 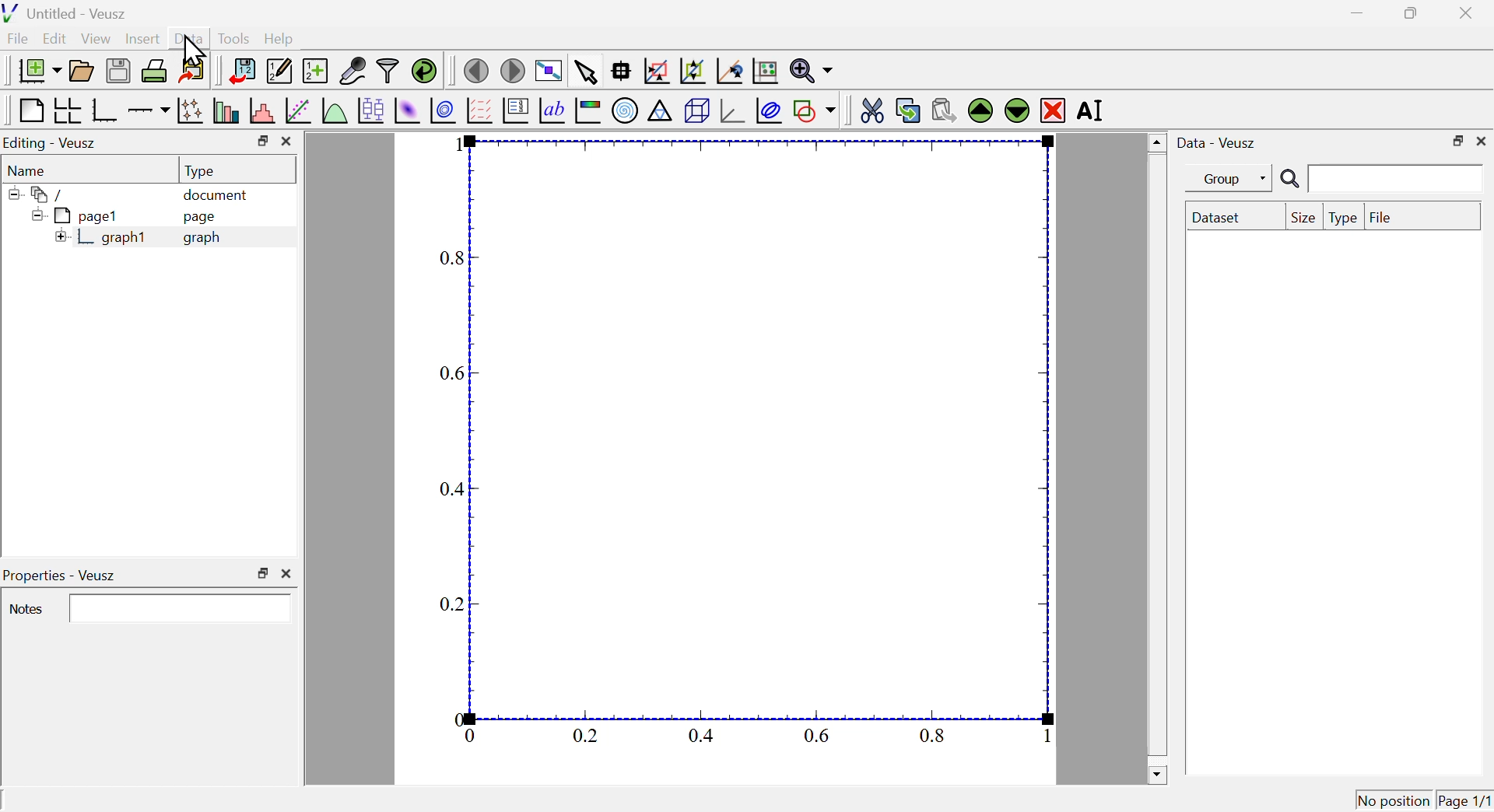 I want to click on help, so click(x=279, y=40).